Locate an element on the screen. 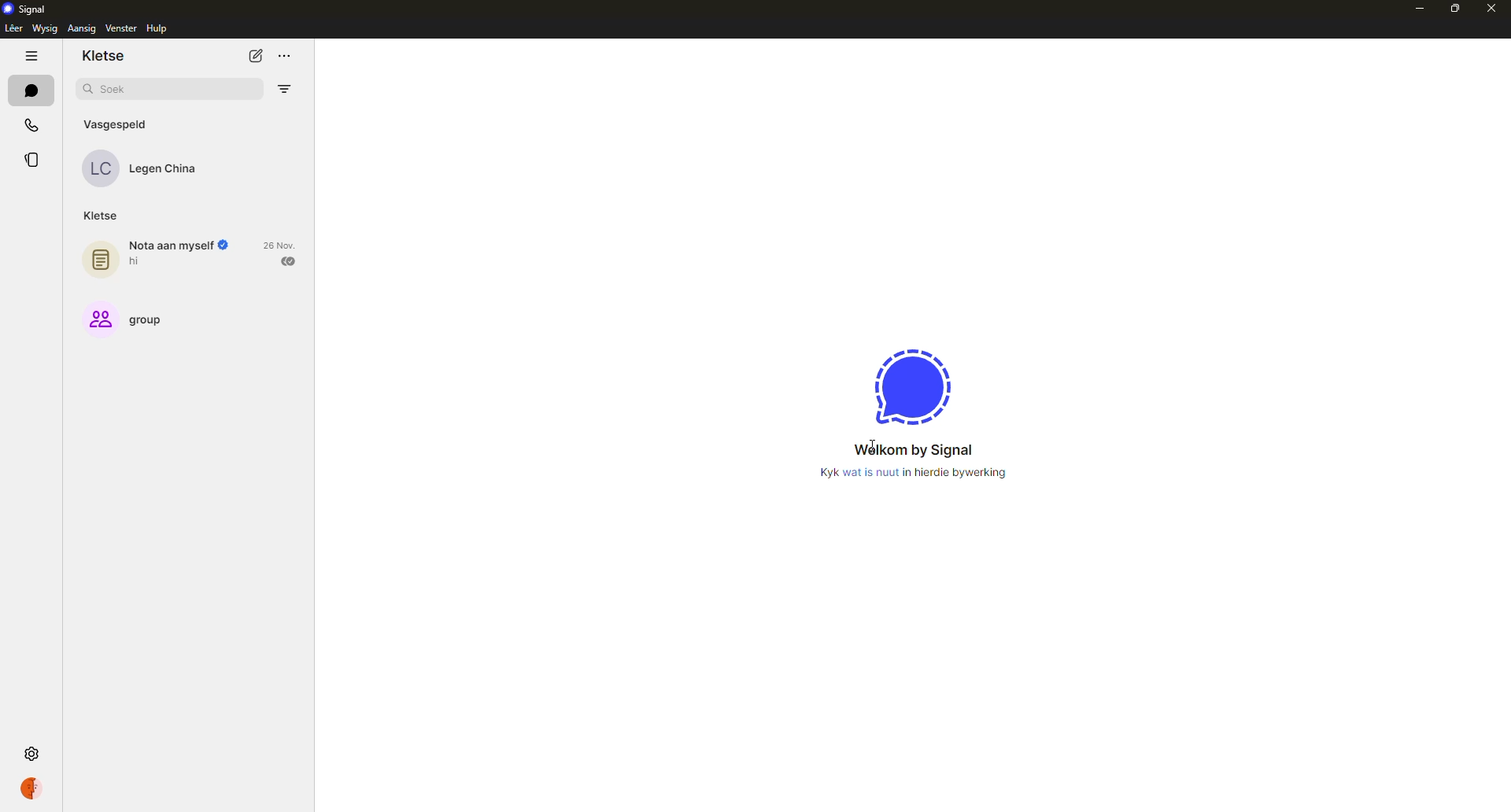  settings is located at coordinates (34, 754).